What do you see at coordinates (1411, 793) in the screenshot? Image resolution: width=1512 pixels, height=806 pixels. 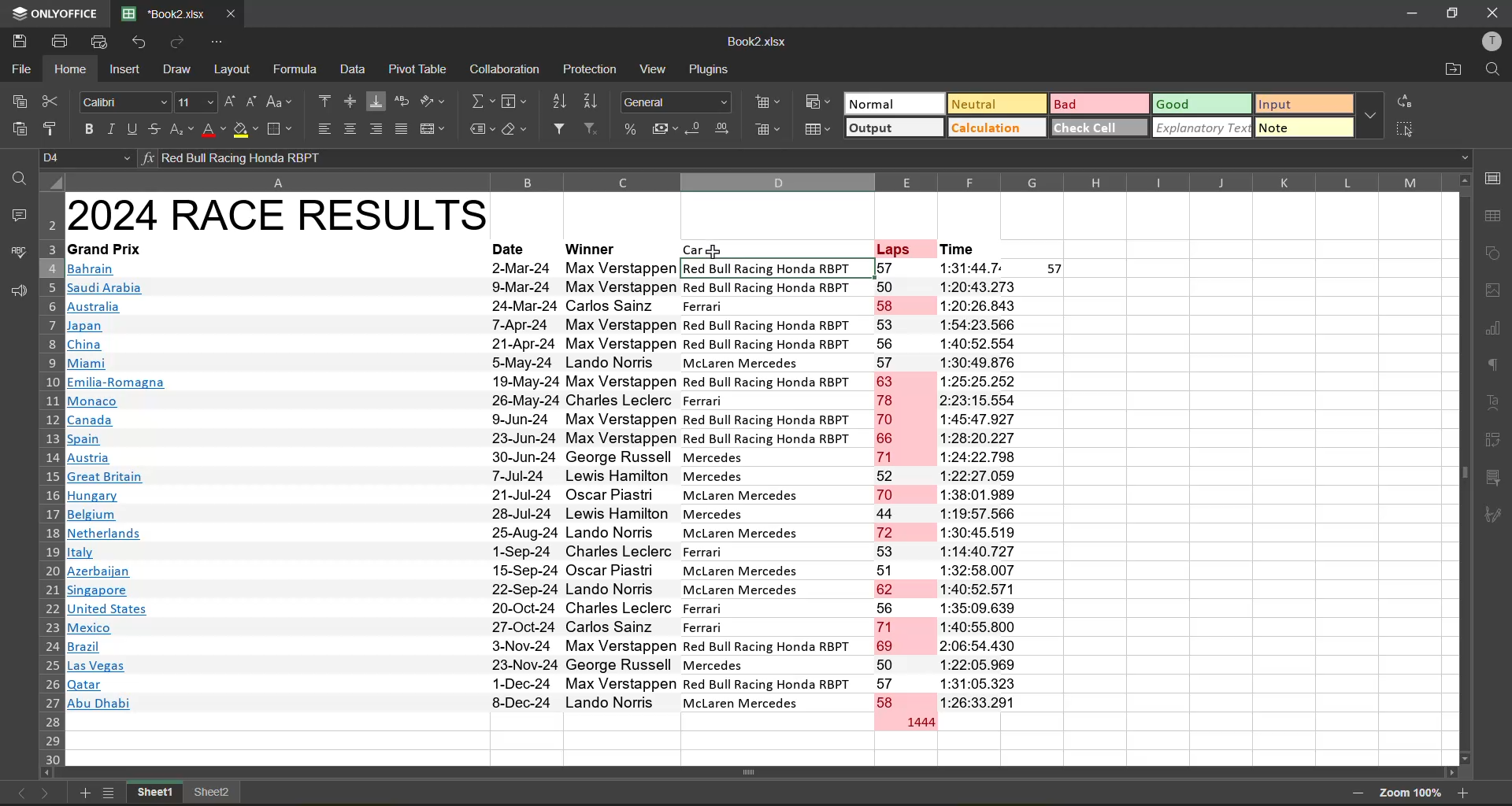 I see `zoom factor` at bounding box center [1411, 793].